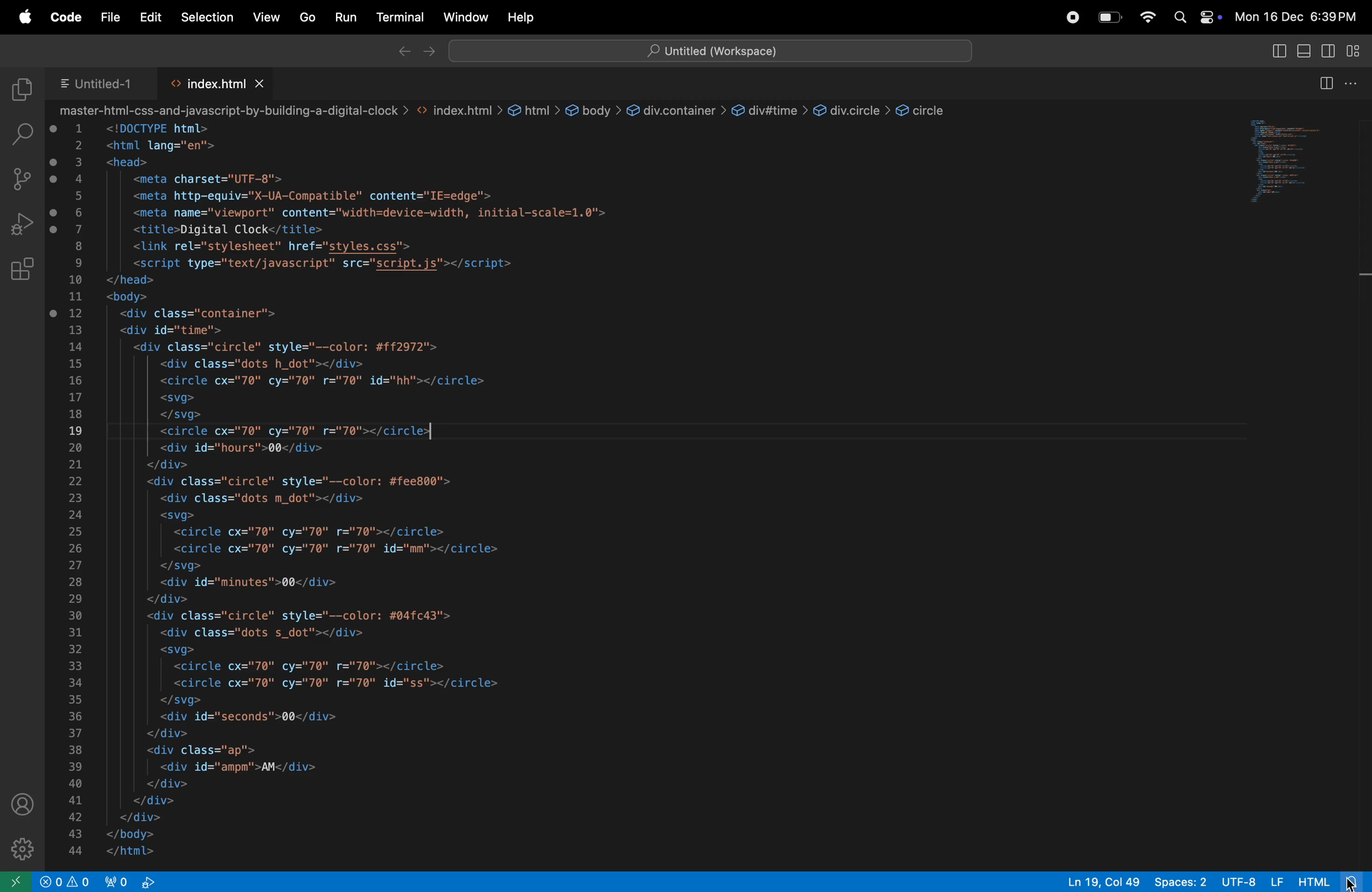 The width and height of the screenshot is (1372, 892). I want to click on explore, so click(20, 90).